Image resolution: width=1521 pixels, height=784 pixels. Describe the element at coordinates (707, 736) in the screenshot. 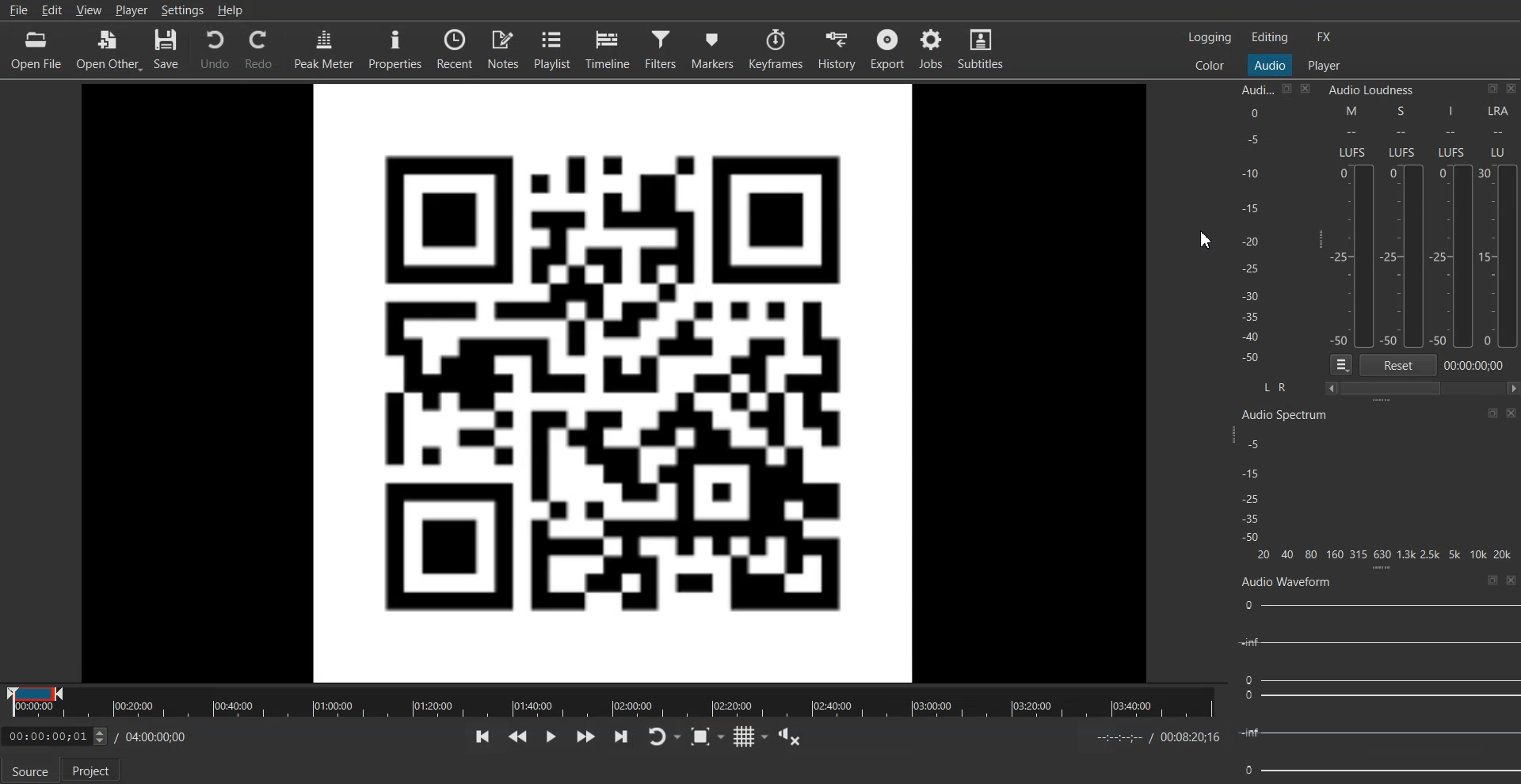

I see `Toggle Zoom` at that location.